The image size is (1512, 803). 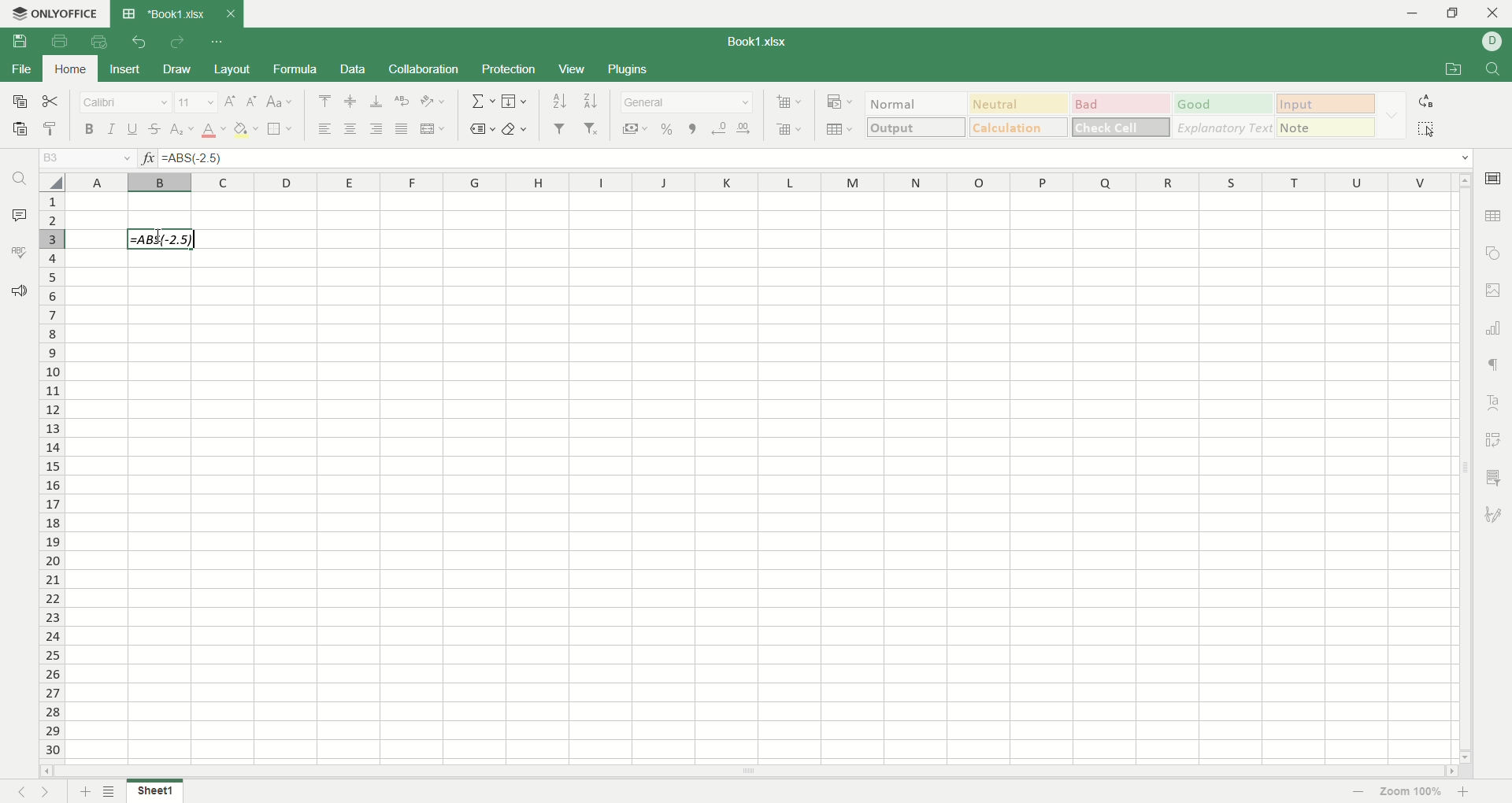 I want to click on merge center, so click(x=432, y=128).